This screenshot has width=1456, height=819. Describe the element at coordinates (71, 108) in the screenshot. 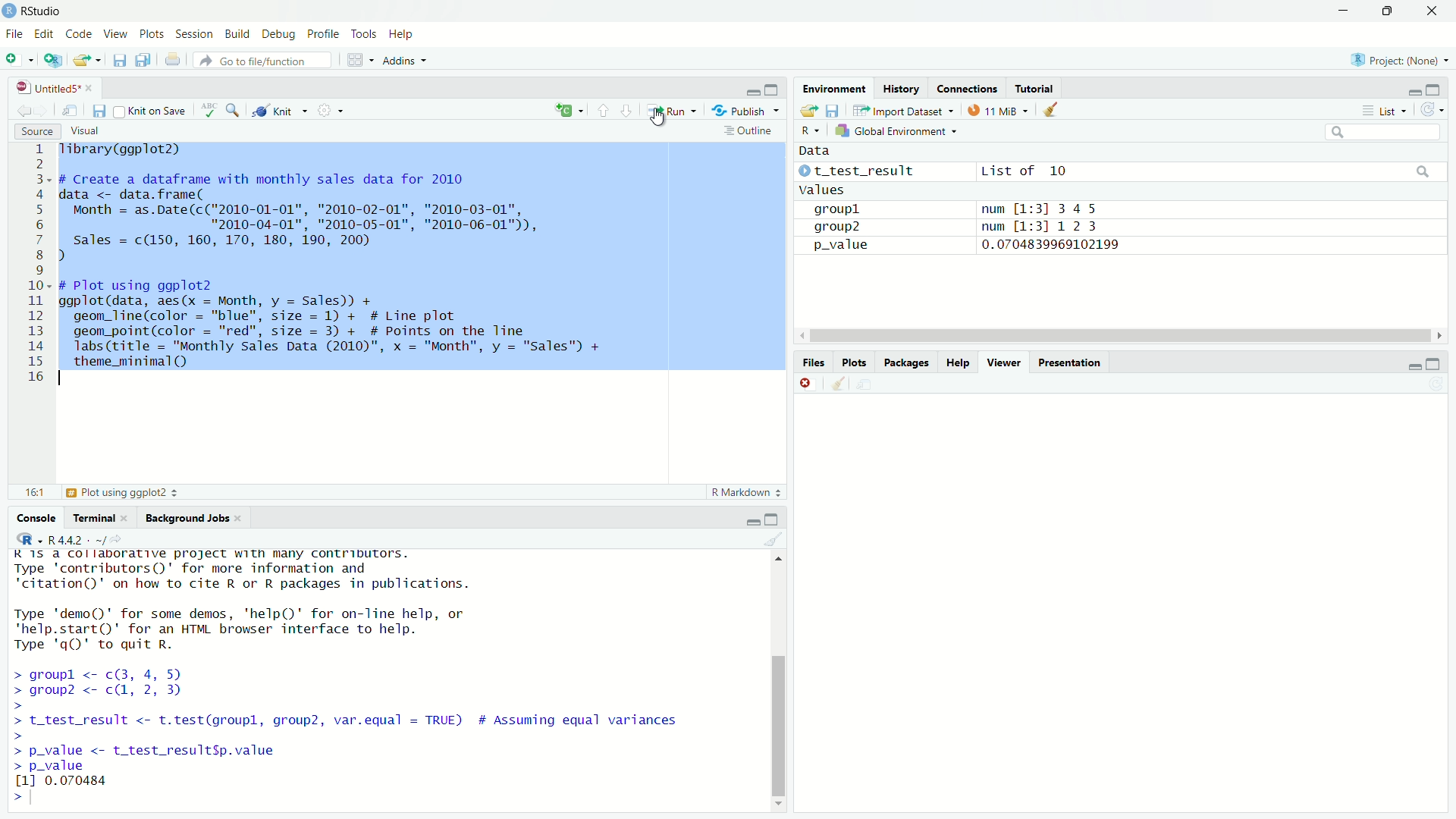

I see `save in new window` at that location.